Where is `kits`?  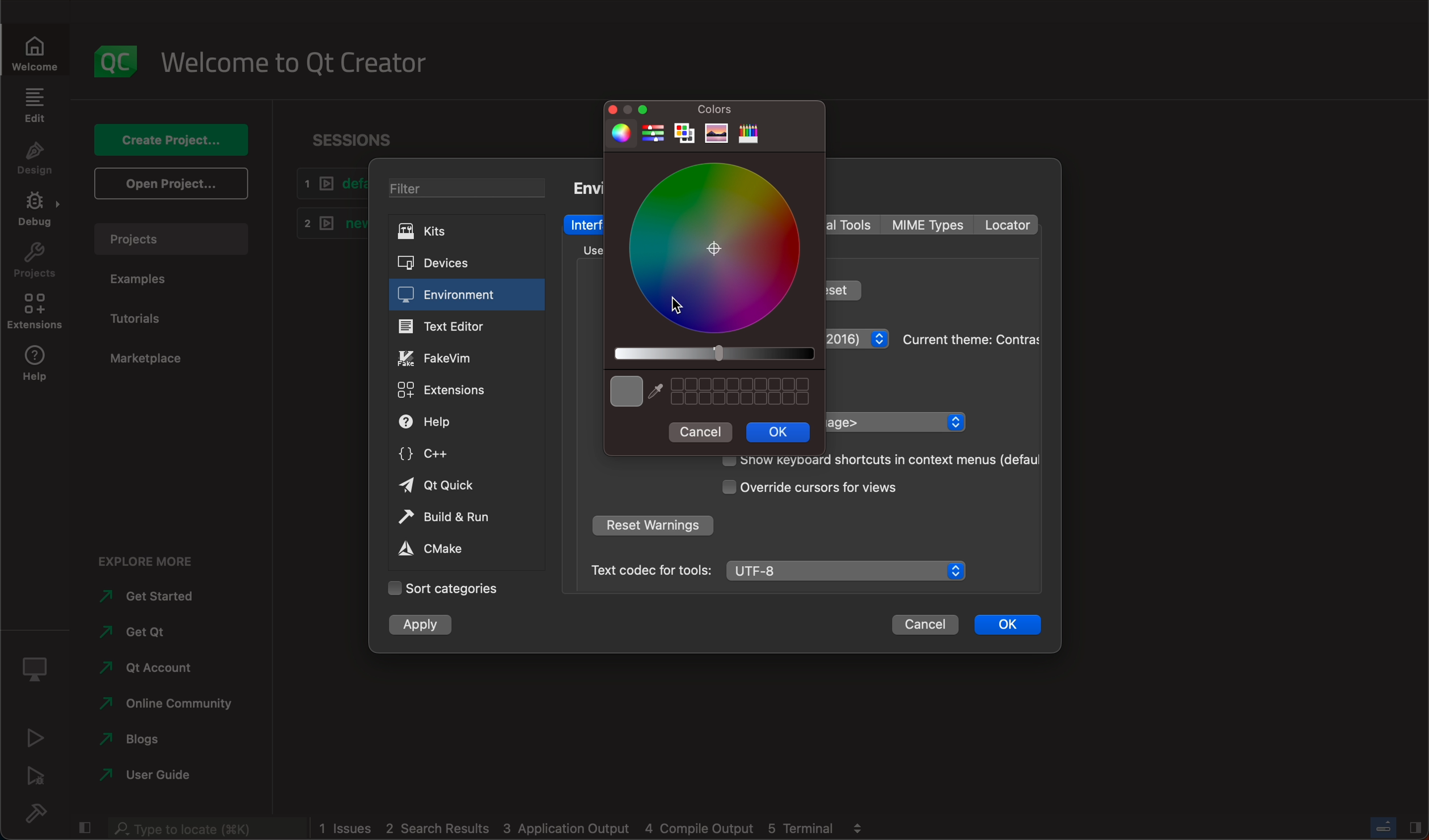 kits is located at coordinates (460, 232).